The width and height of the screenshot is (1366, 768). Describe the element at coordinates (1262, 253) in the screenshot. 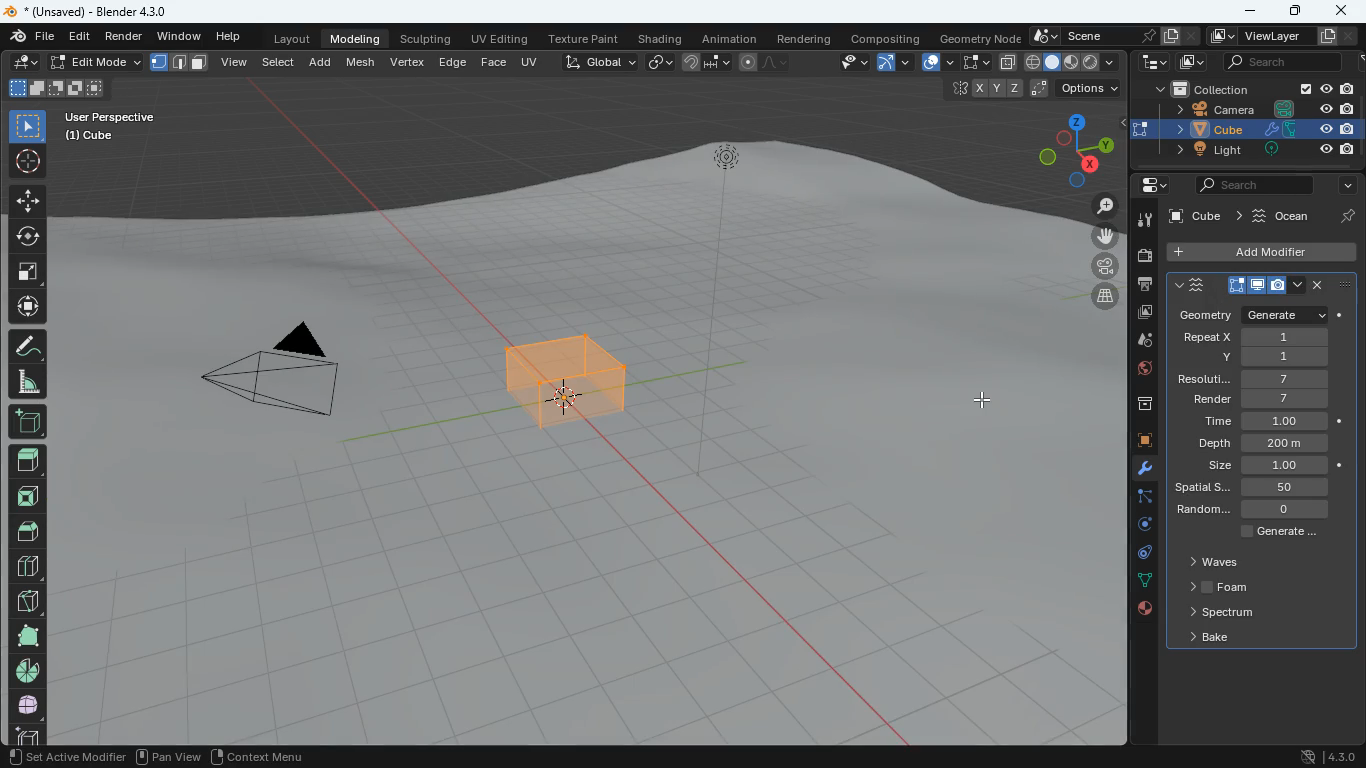

I see `cube` at that location.